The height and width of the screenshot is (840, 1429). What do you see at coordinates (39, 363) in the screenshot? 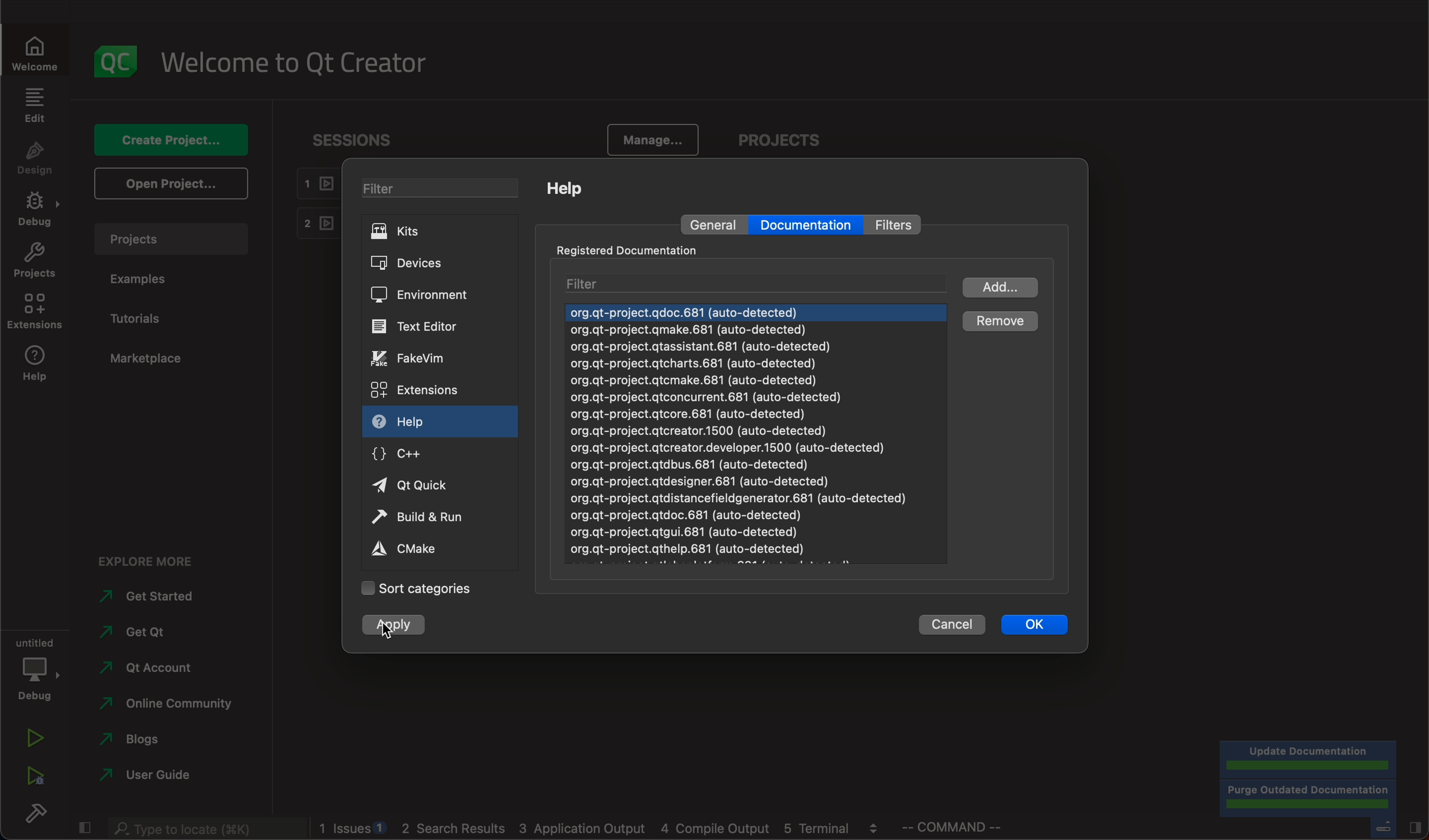
I see `help` at bounding box center [39, 363].